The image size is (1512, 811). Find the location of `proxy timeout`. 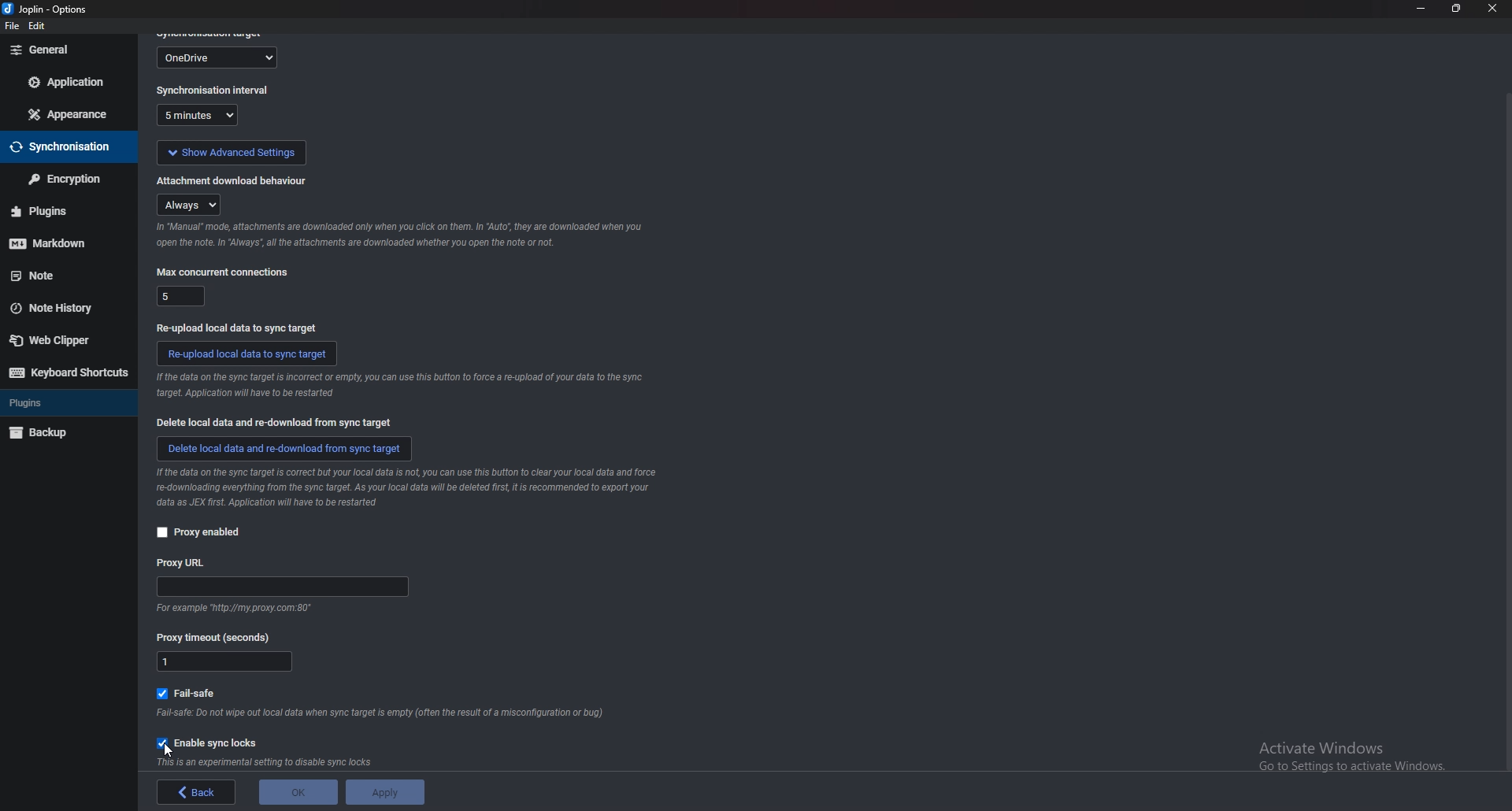

proxy timeout is located at coordinates (225, 663).